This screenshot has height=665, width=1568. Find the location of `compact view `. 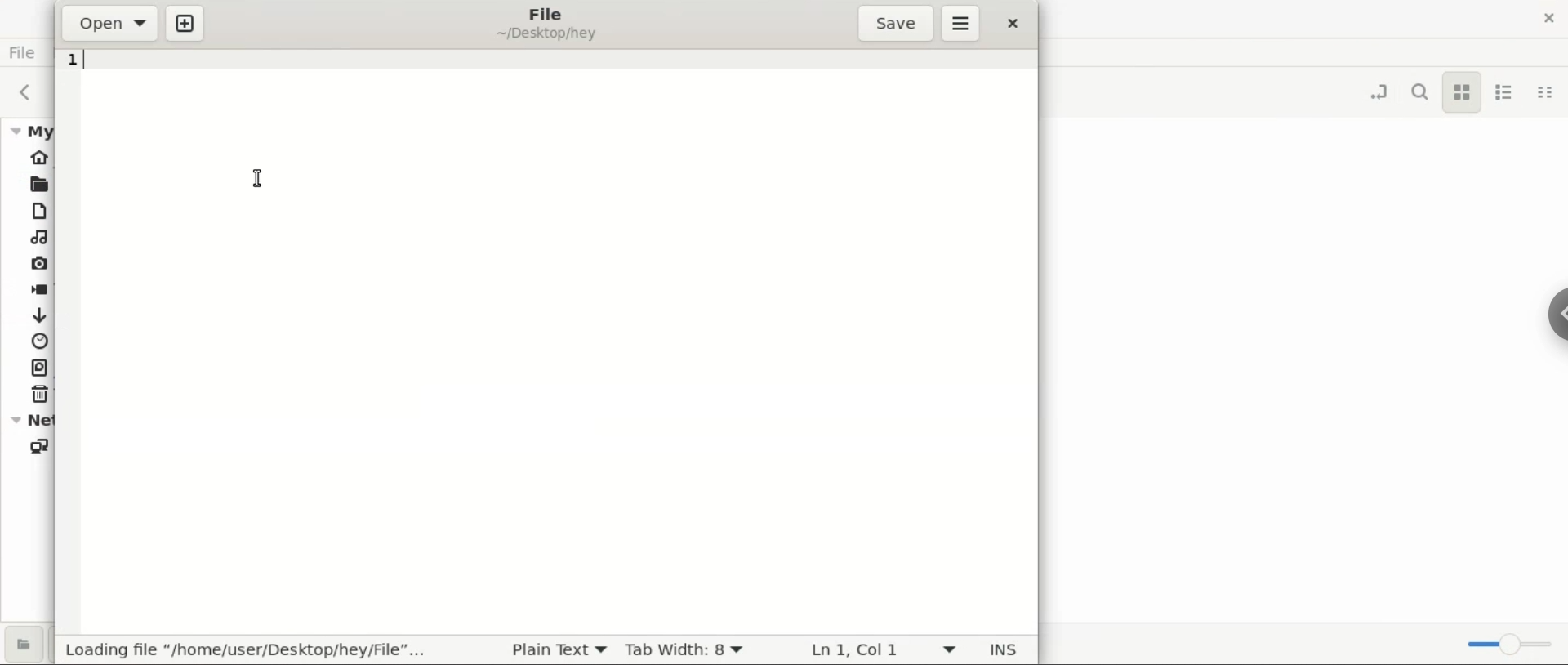

compact view  is located at coordinates (1549, 91).